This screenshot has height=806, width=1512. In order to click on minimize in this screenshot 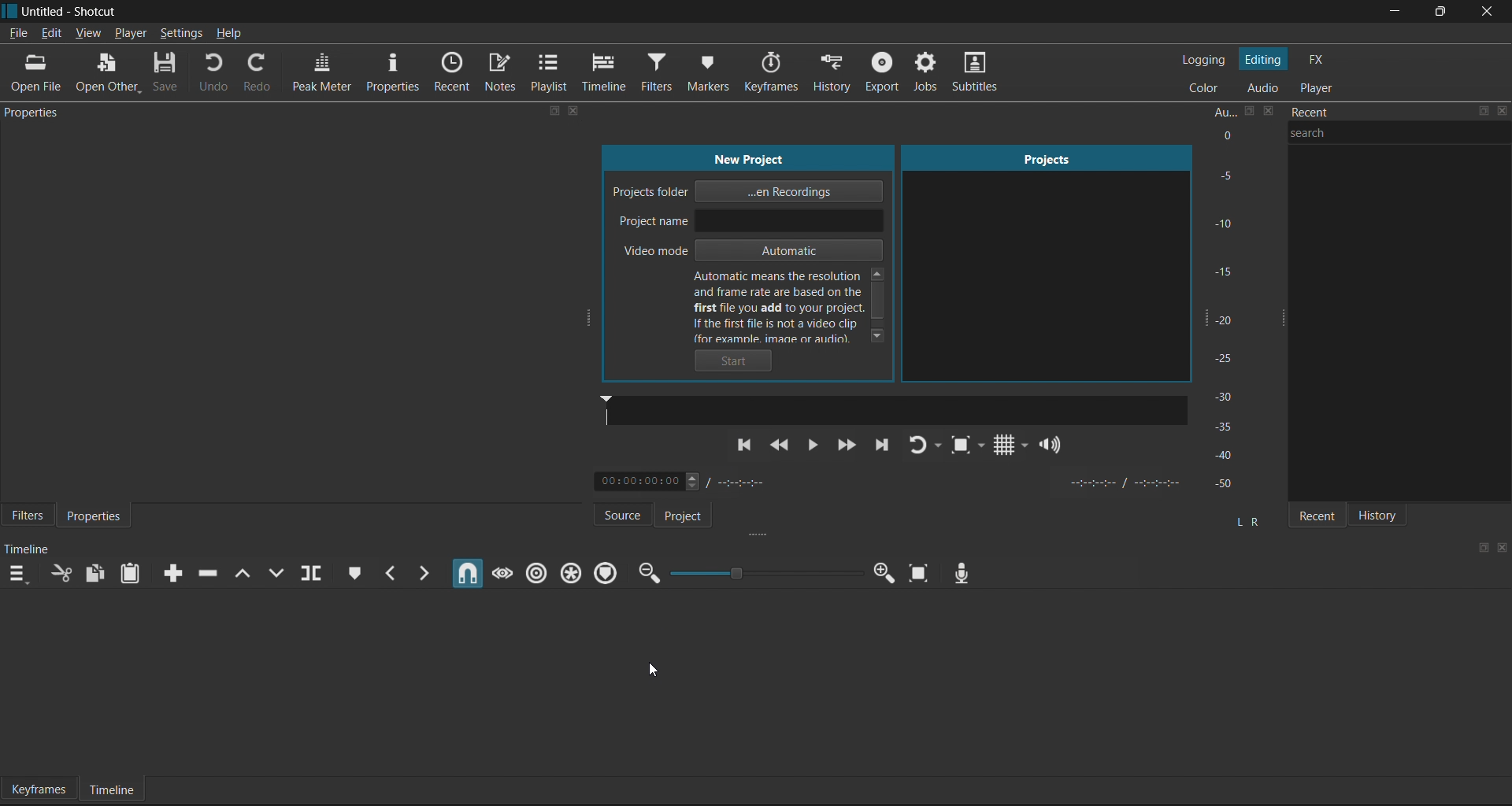, I will do `click(1393, 13)`.